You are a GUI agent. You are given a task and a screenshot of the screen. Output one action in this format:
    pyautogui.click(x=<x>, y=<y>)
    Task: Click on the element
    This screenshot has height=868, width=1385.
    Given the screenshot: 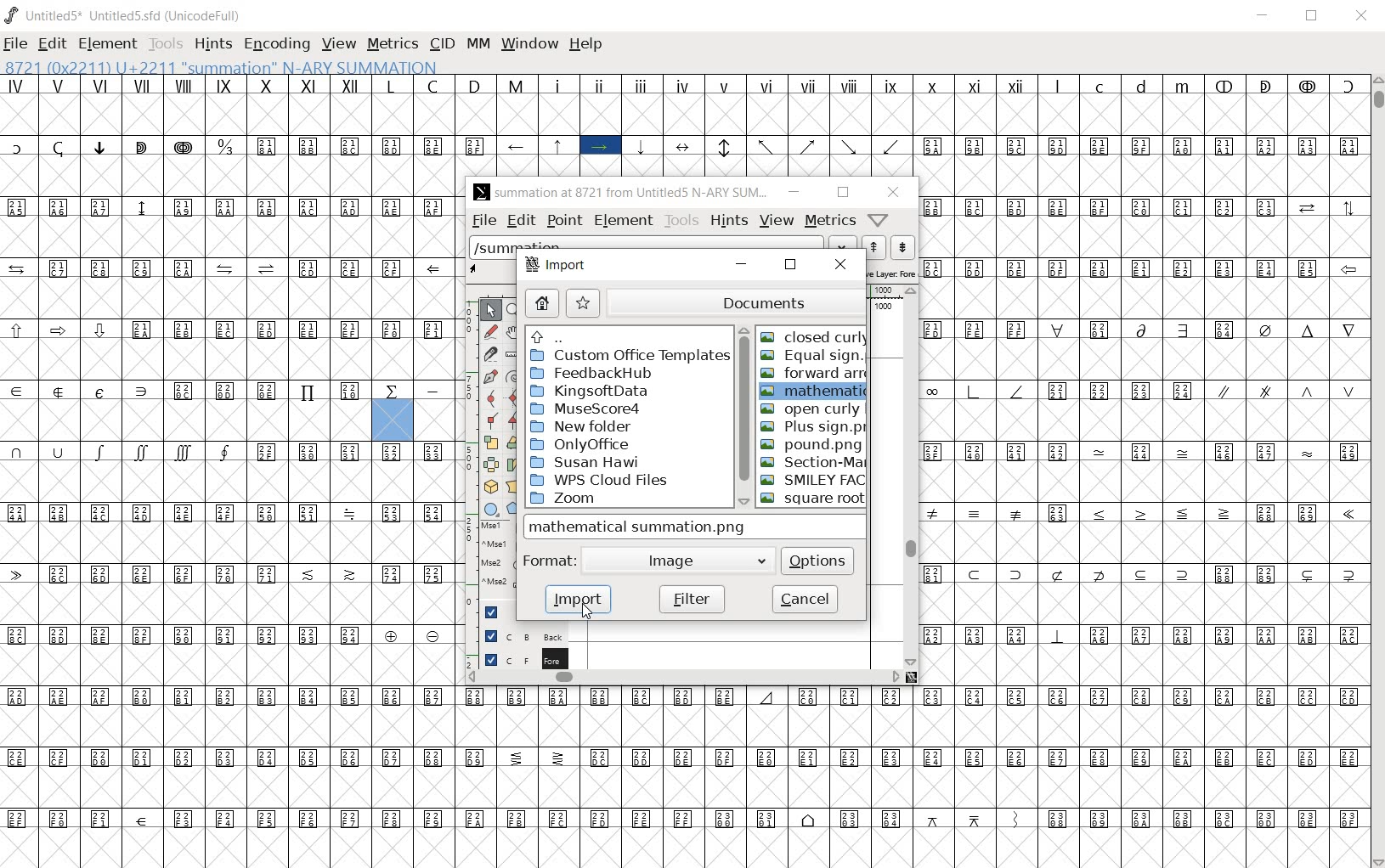 What is the action you would take?
    pyautogui.click(x=623, y=221)
    